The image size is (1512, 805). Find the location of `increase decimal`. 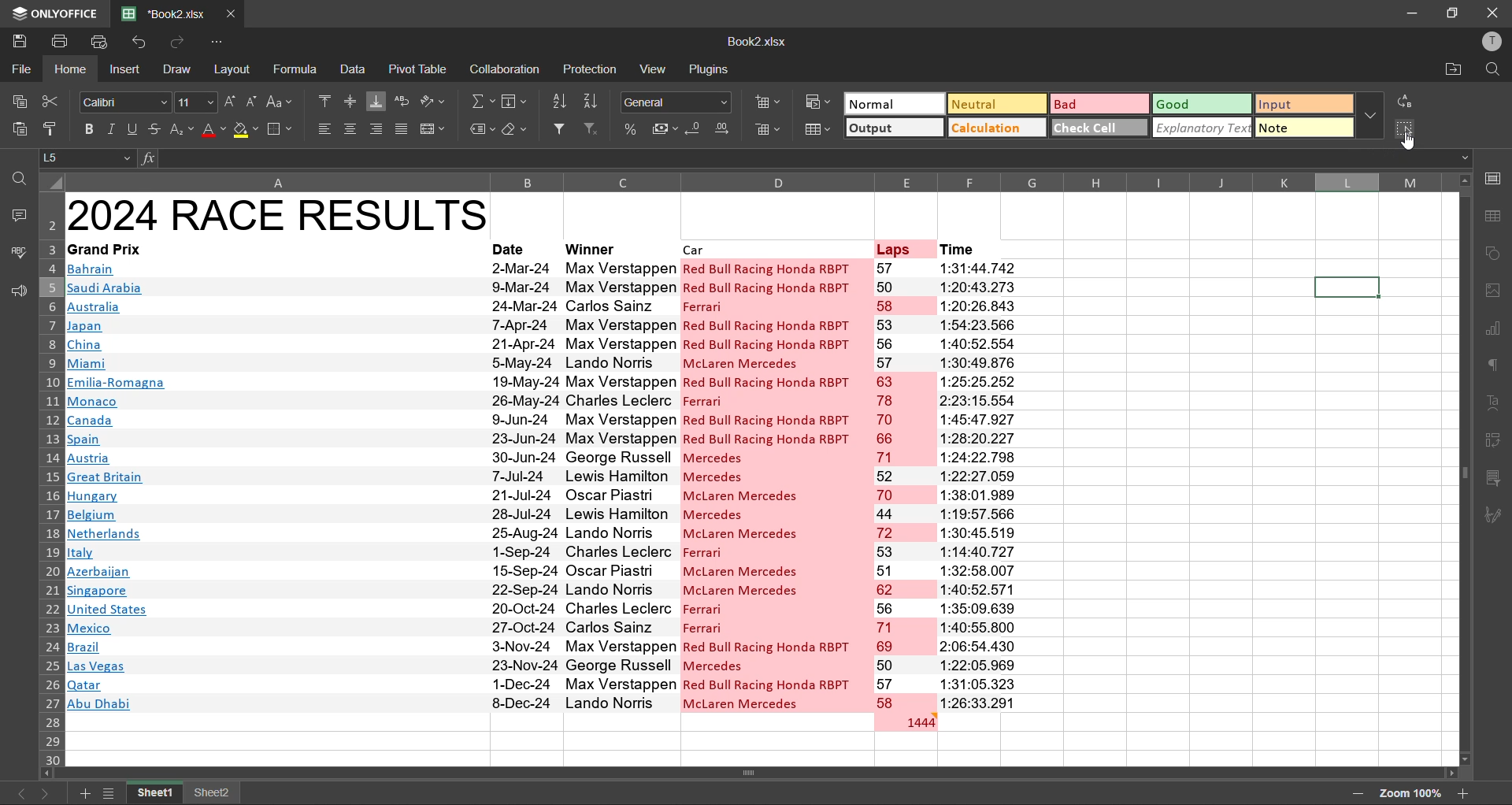

increase decimal is located at coordinates (724, 129).